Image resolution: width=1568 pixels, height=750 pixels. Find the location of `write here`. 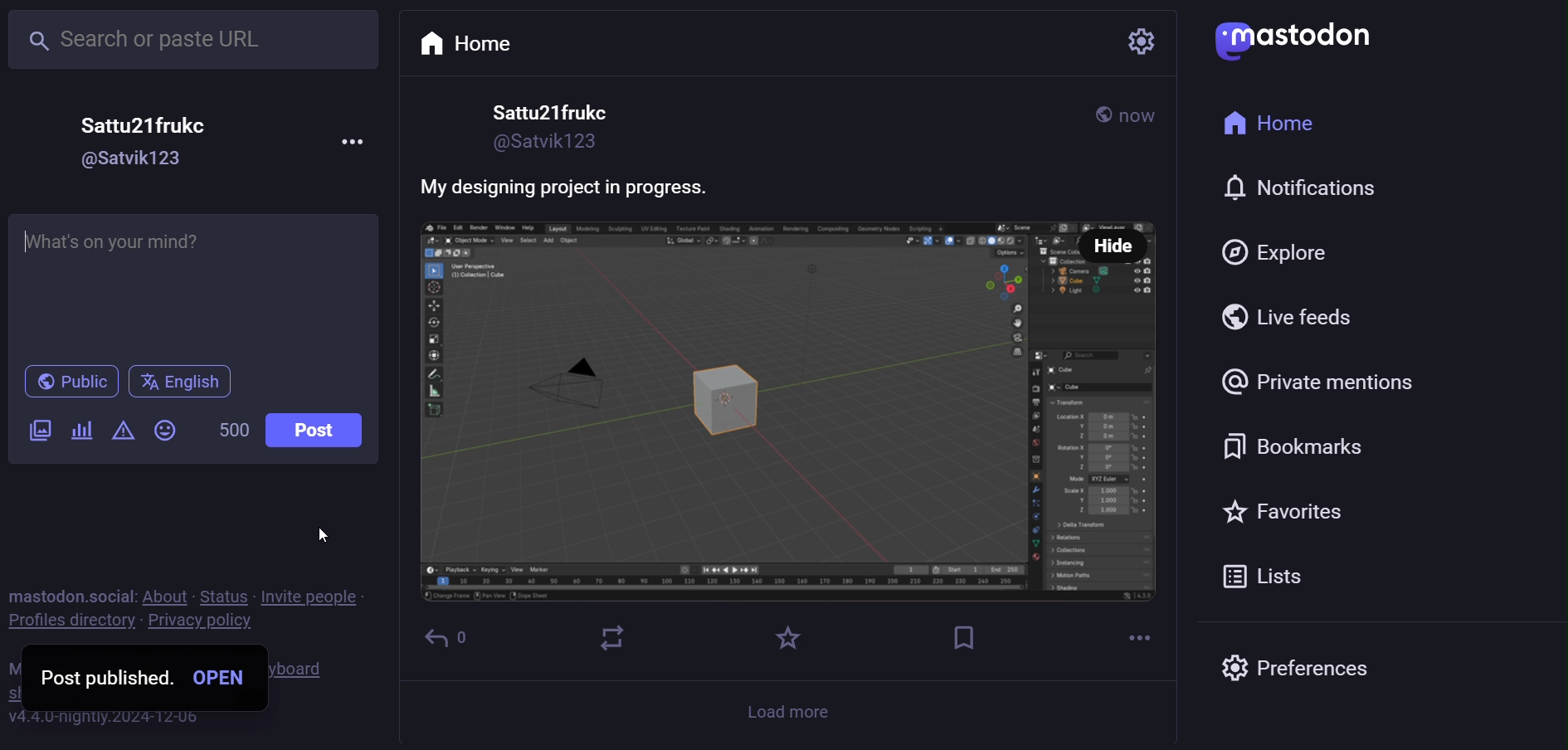

write here is located at coordinates (193, 280).